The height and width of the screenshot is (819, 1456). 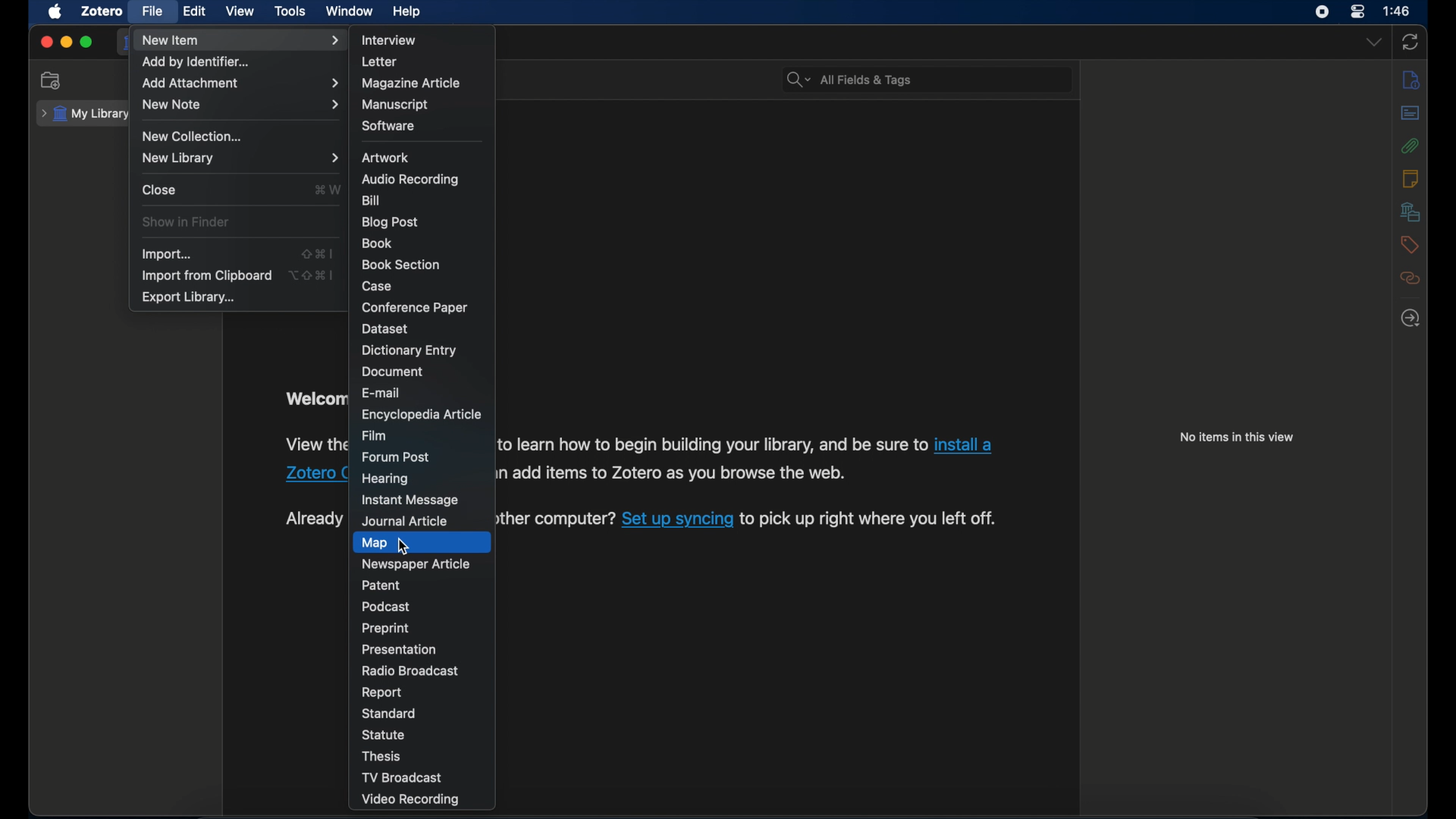 I want to click on standard, so click(x=391, y=714).